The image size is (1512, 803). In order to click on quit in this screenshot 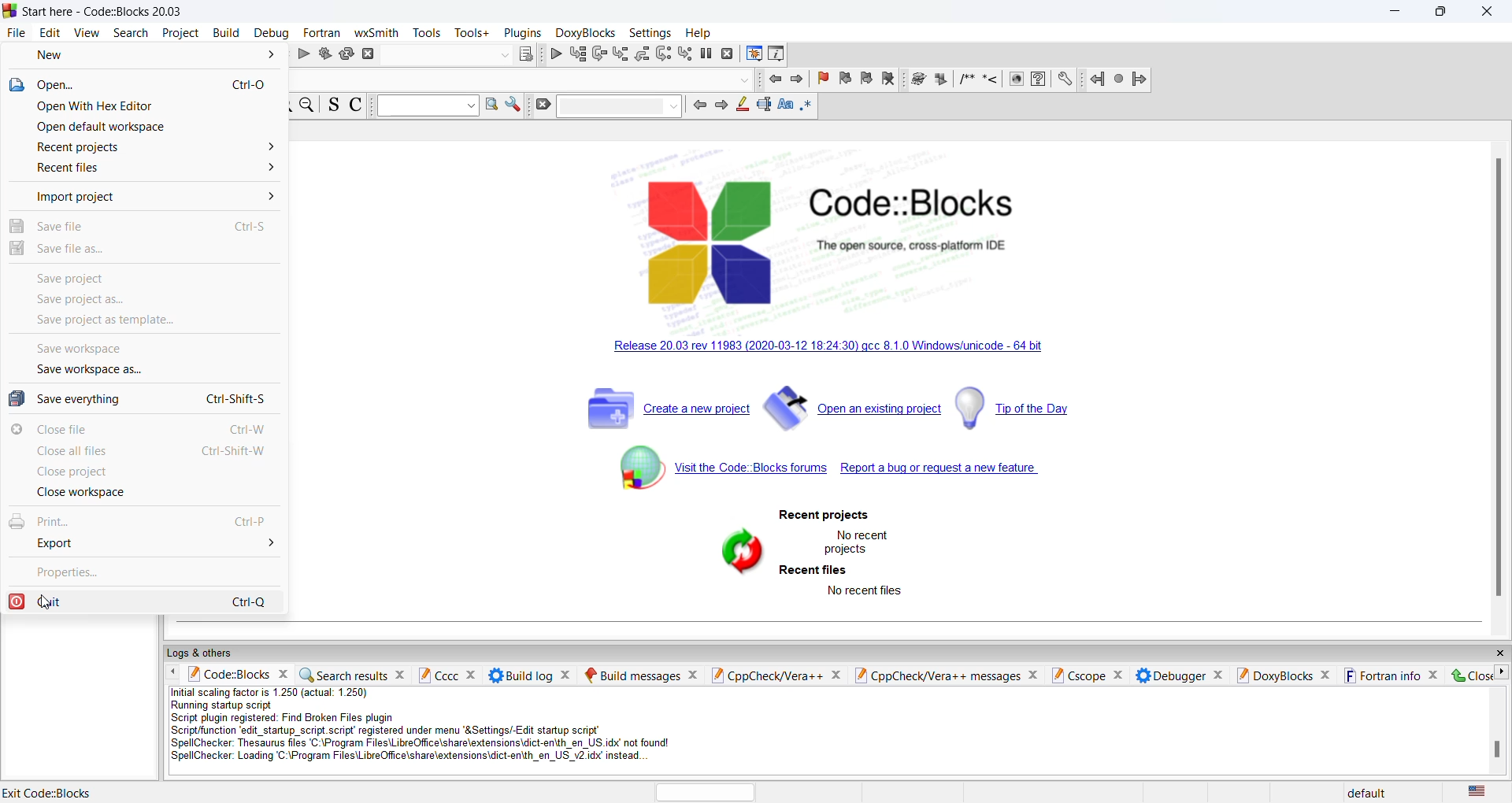, I will do `click(143, 600)`.